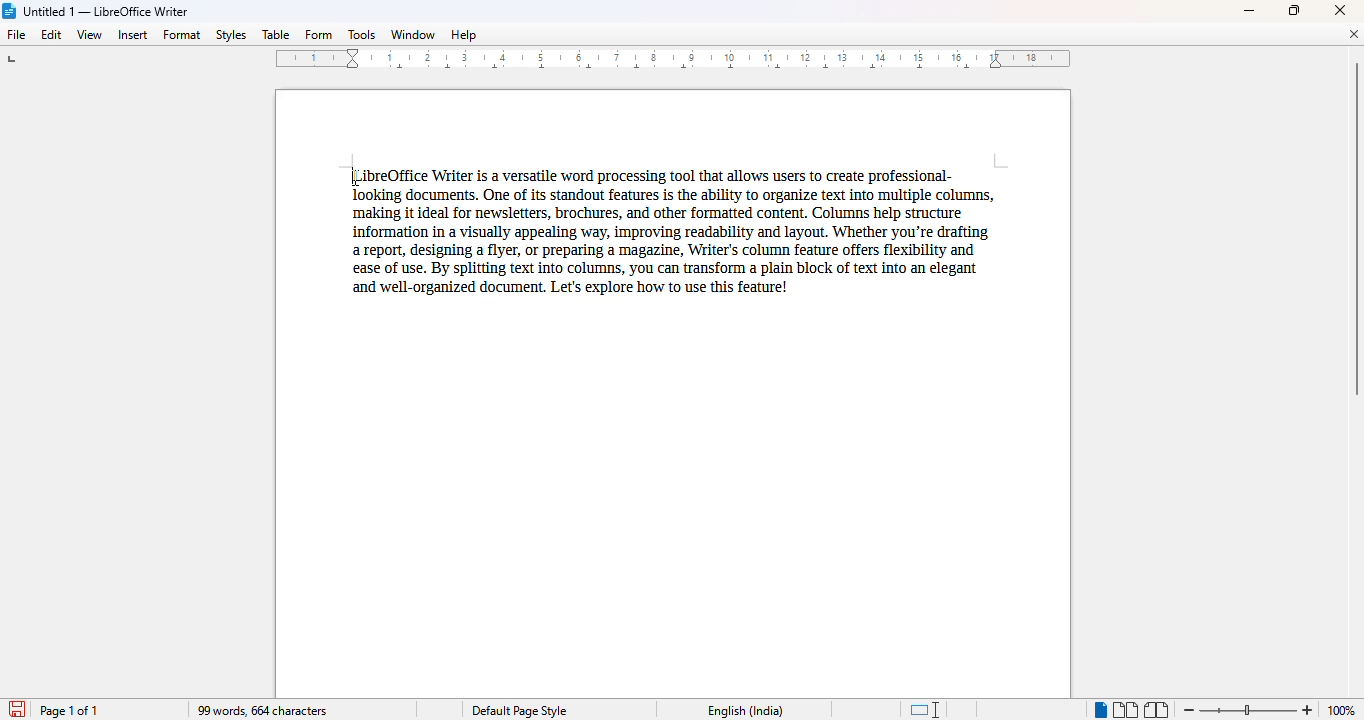  What do you see at coordinates (350, 178) in the screenshot?
I see `hotkey (Ctrl + A)` at bounding box center [350, 178].